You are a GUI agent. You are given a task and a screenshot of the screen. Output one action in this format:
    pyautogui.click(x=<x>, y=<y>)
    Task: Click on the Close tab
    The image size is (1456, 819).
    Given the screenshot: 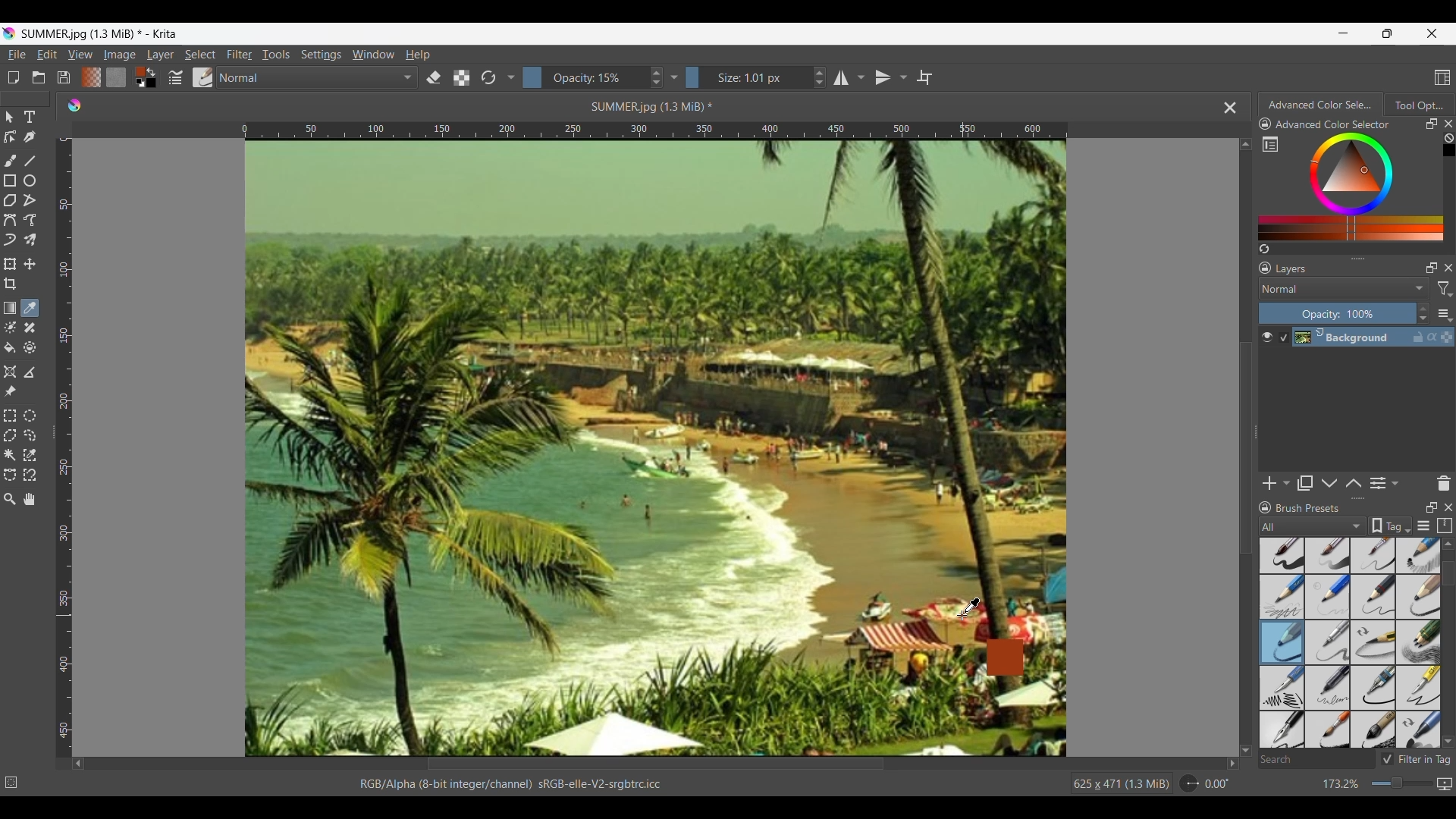 What is the action you would take?
    pyautogui.click(x=1231, y=108)
    